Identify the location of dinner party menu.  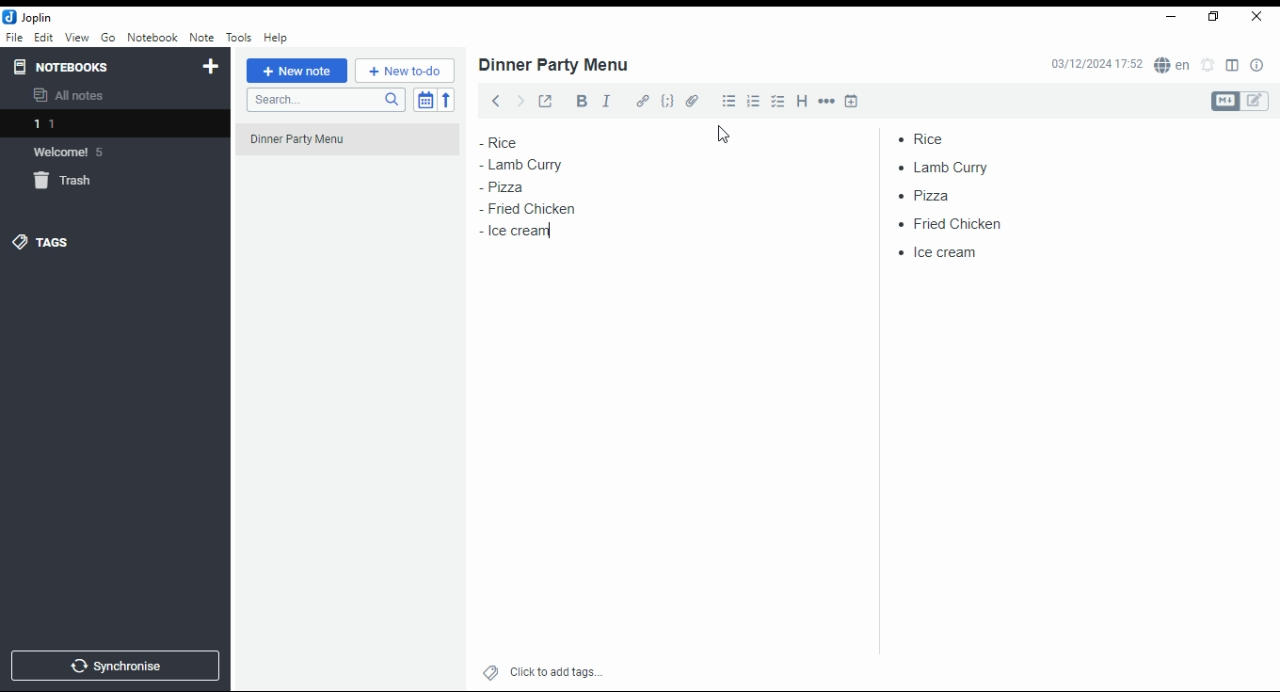
(353, 146).